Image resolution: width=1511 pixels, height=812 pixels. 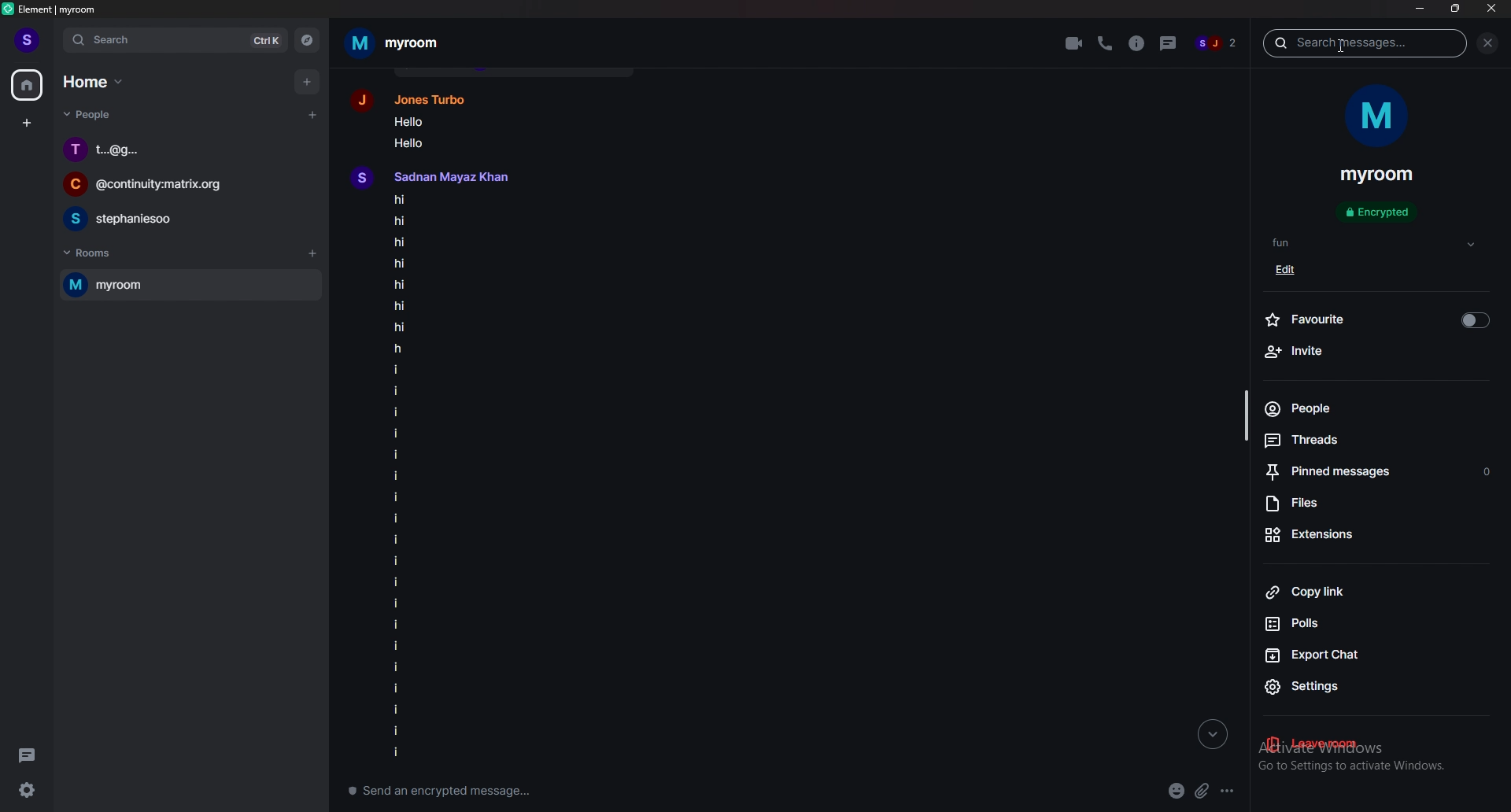 What do you see at coordinates (187, 185) in the screenshot?
I see `chat` at bounding box center [187, 185].